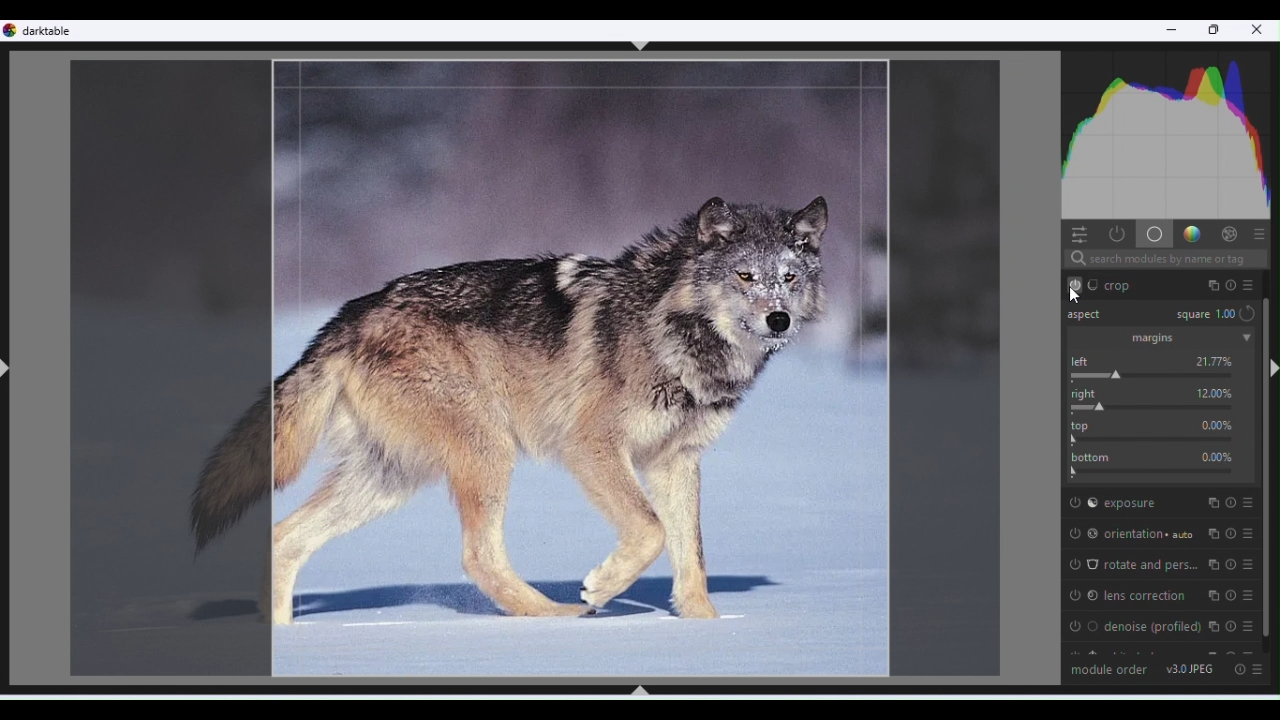 The width and height of the screenshot is (1280, 720). What do you see at coordinates (1084, 424) in the screenshot?
I see `top` at bounding box center [1084, 424].